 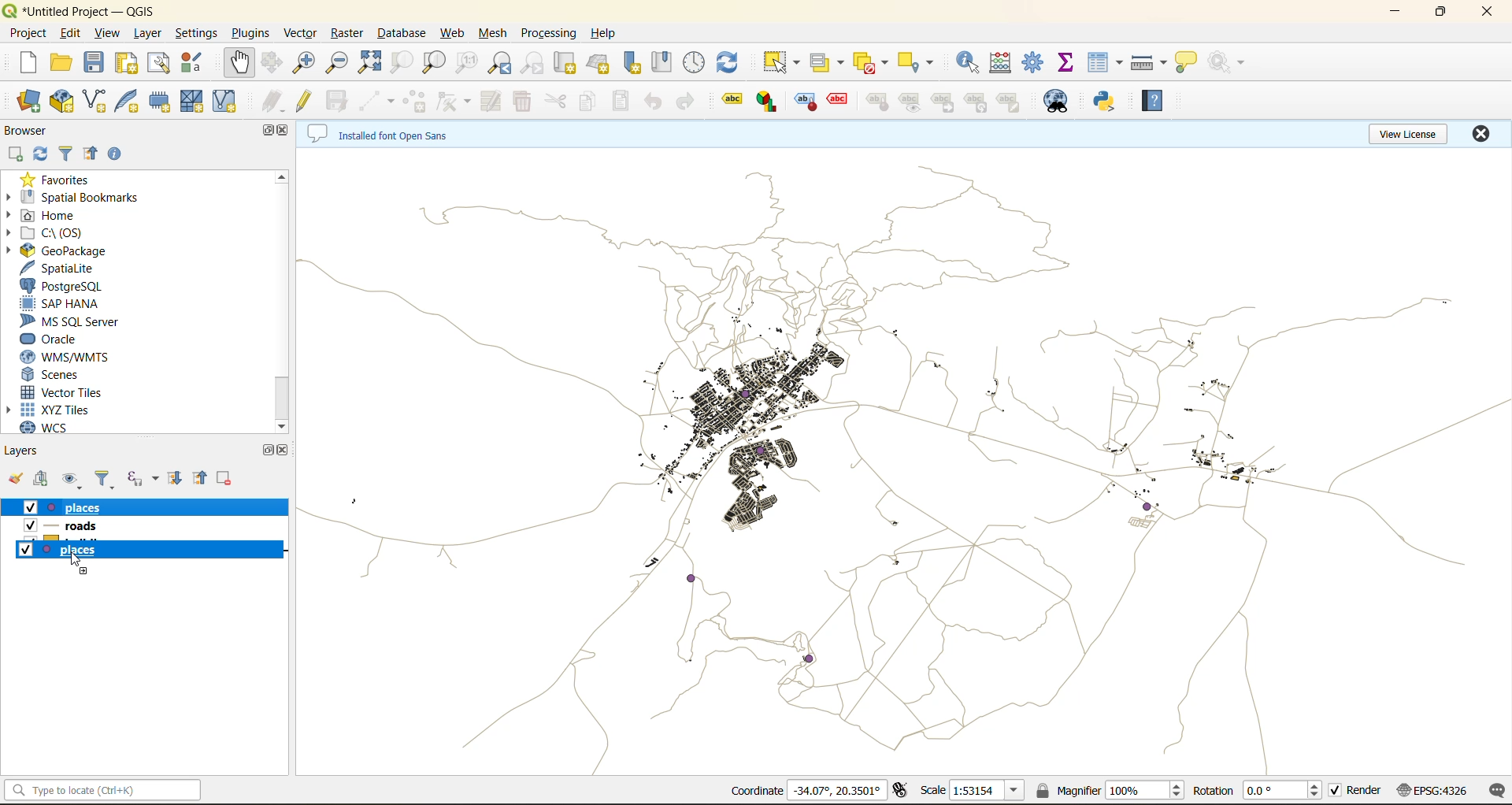 What do you see at coordinates (178, 479) in the screenshot?
I see `expand all` at bounding box center [178, 479].